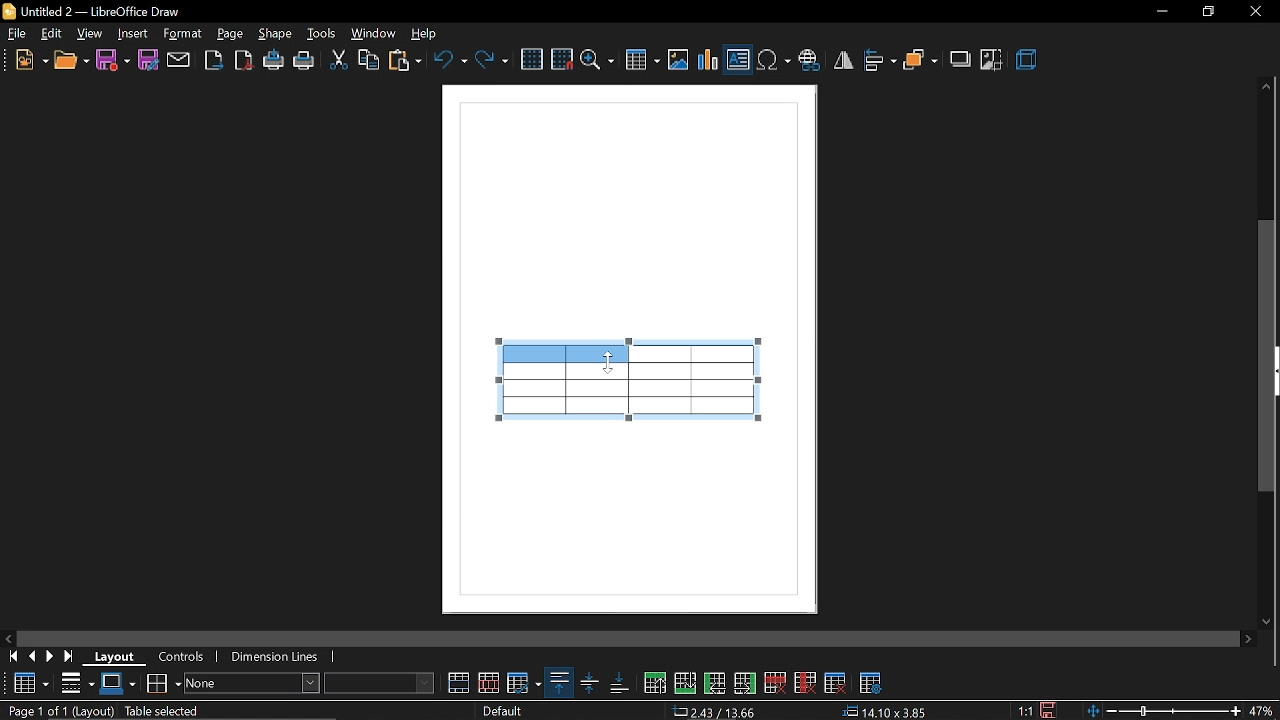 The image size is (1280, 720). Describe the element at coordinates (450, 61) in the screenshot. I see `undo` at that location.